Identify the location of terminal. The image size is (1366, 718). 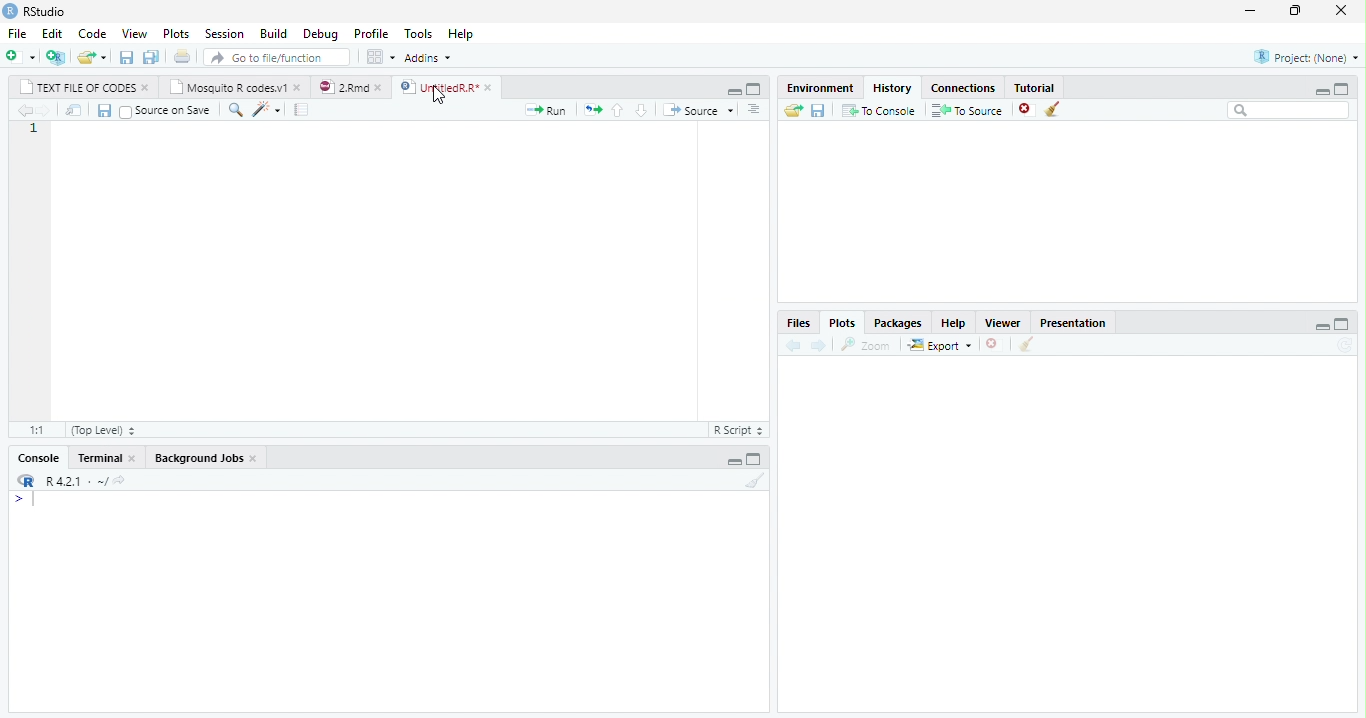
(98, 458).